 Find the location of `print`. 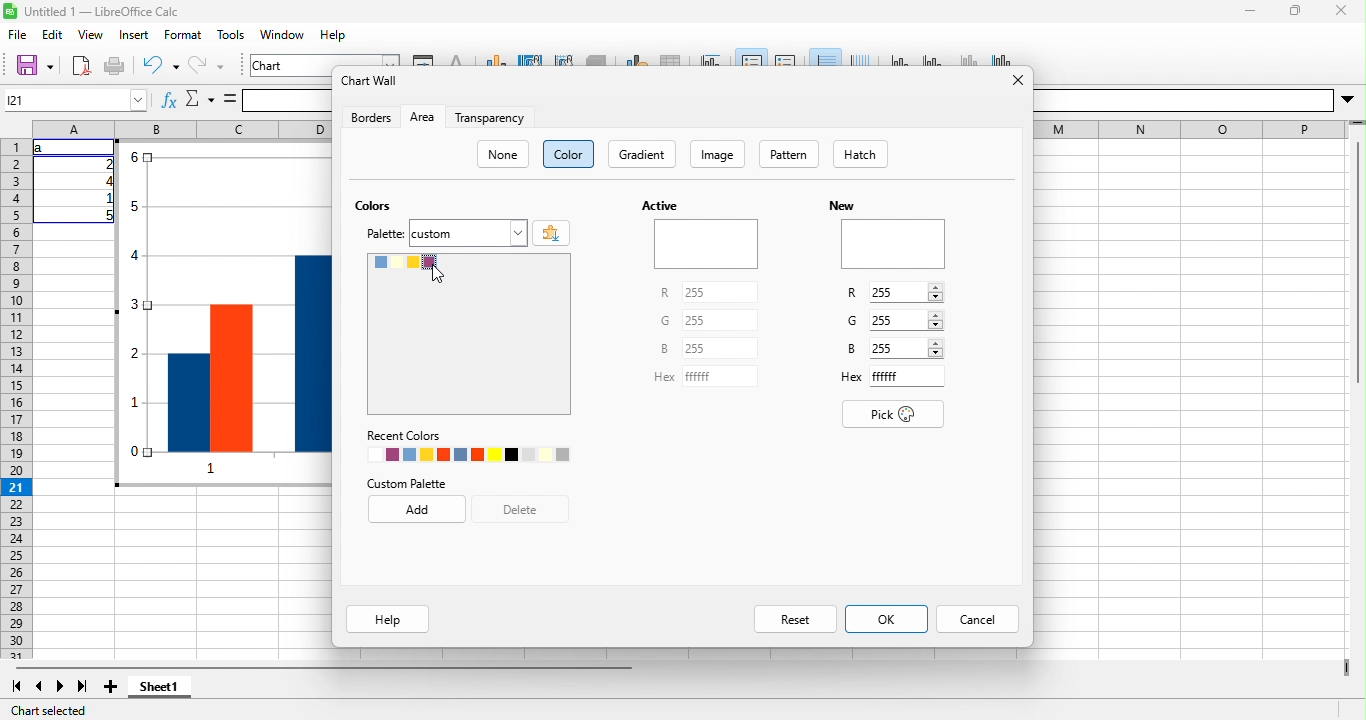

print is located at coordinates (114, 66).